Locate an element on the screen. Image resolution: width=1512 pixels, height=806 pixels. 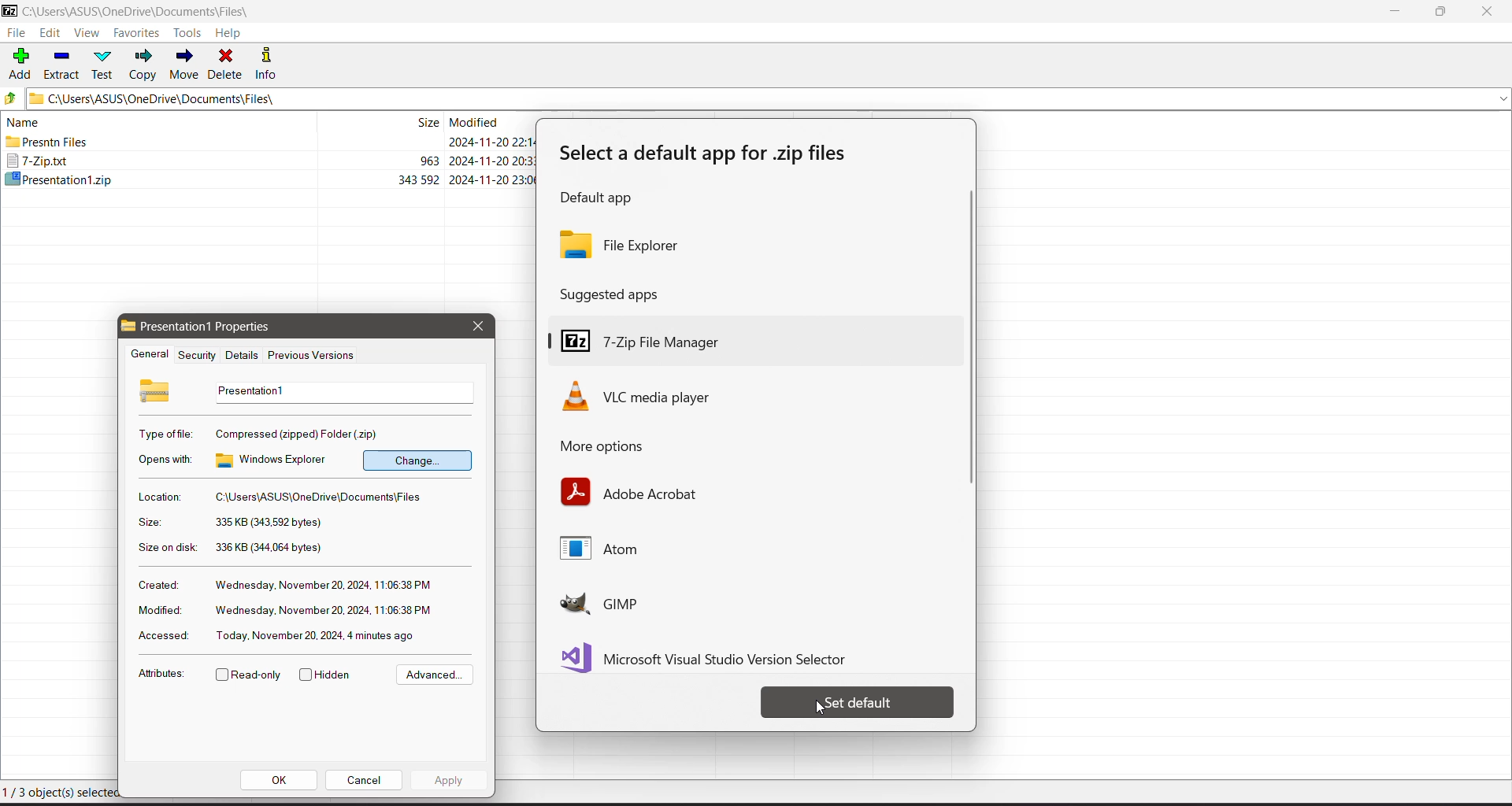
Opens with is located at coordinates (167, 460).